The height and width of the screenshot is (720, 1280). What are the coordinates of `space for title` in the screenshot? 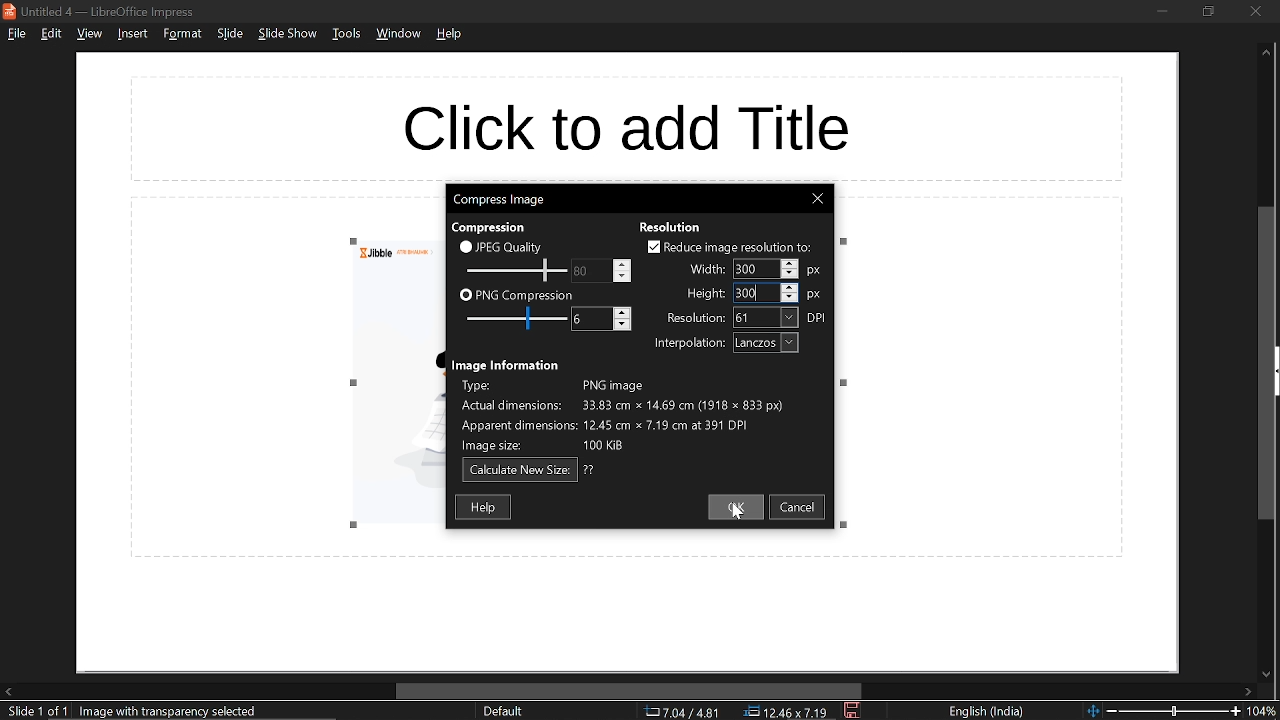 It's located at (646, 122).